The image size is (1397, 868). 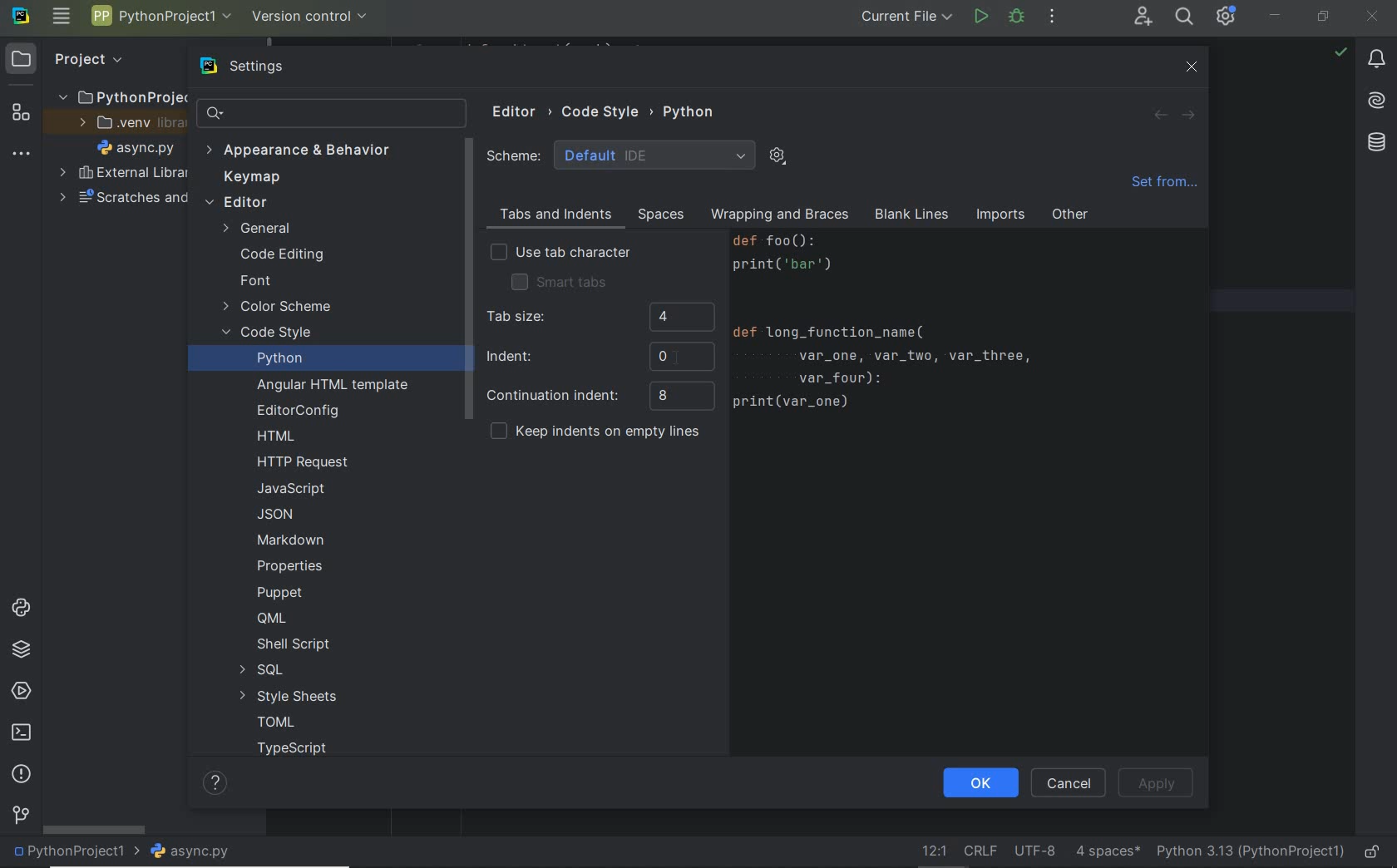 What do you see at coordinates (24, 609) in the screenshot?
I see `python console` at bounding box center [24, 609].